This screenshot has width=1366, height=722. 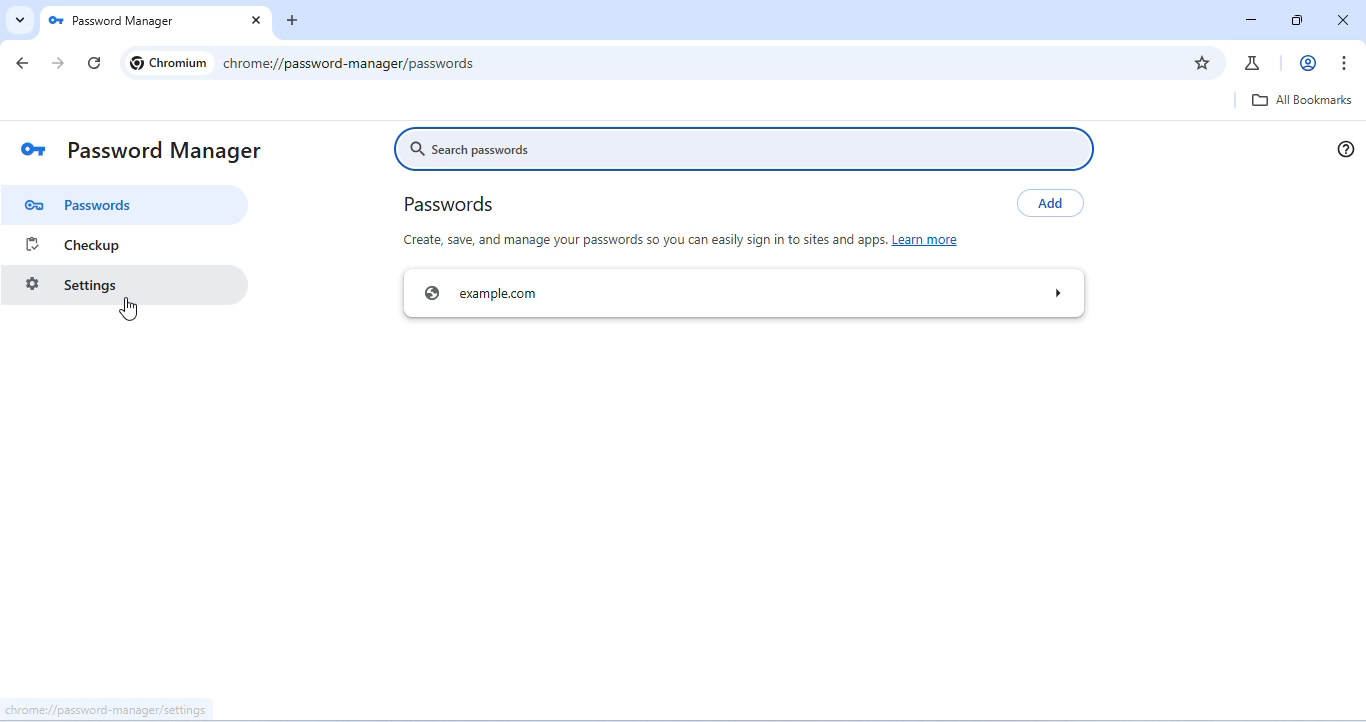 I want to click on chrome://password-manager/passwords, so click(x=349, y=62).